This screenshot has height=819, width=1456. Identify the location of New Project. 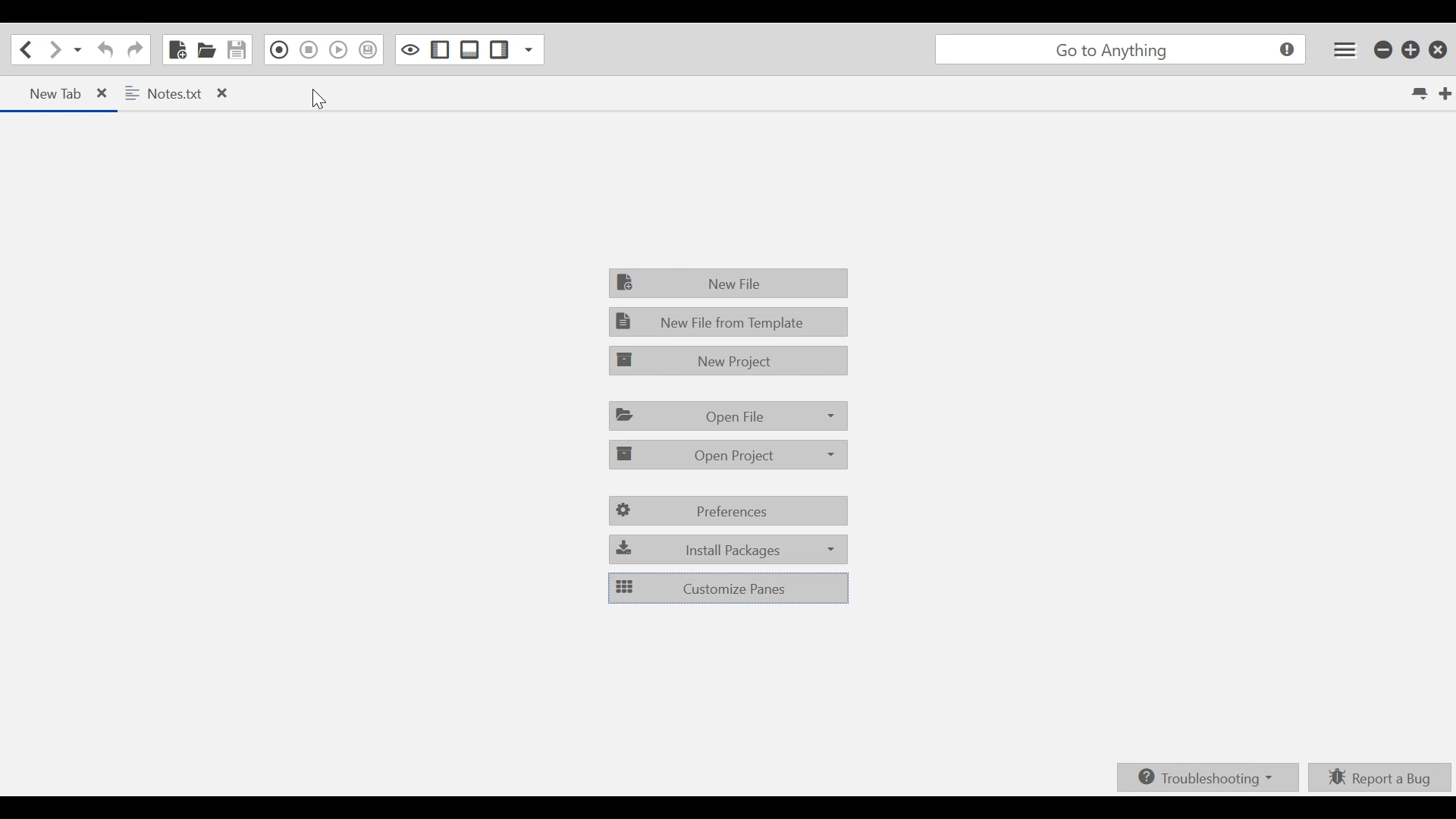
(729, 359).